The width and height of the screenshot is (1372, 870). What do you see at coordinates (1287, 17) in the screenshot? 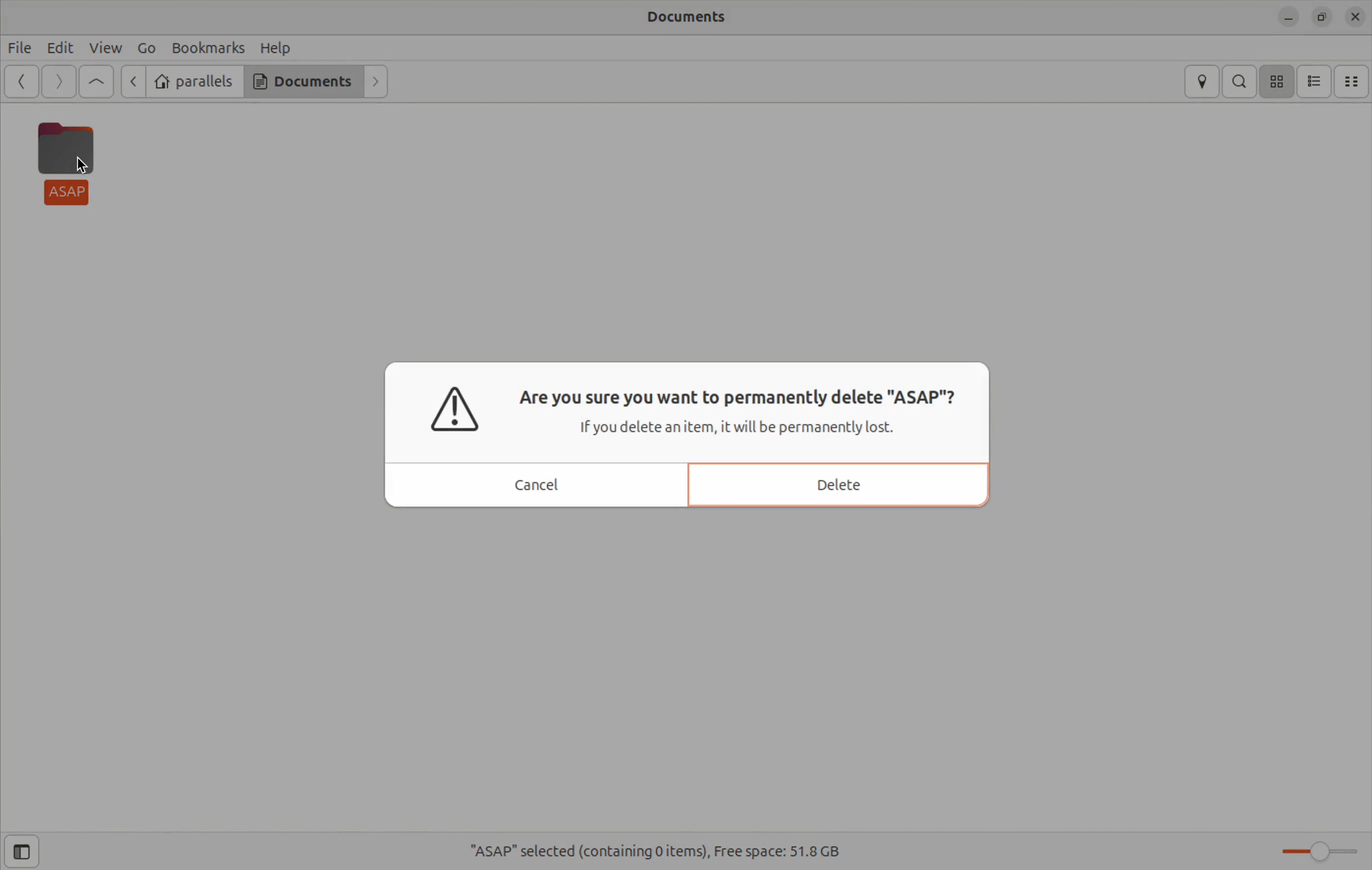
I see `minimize` at bounding box center [1287, 17].